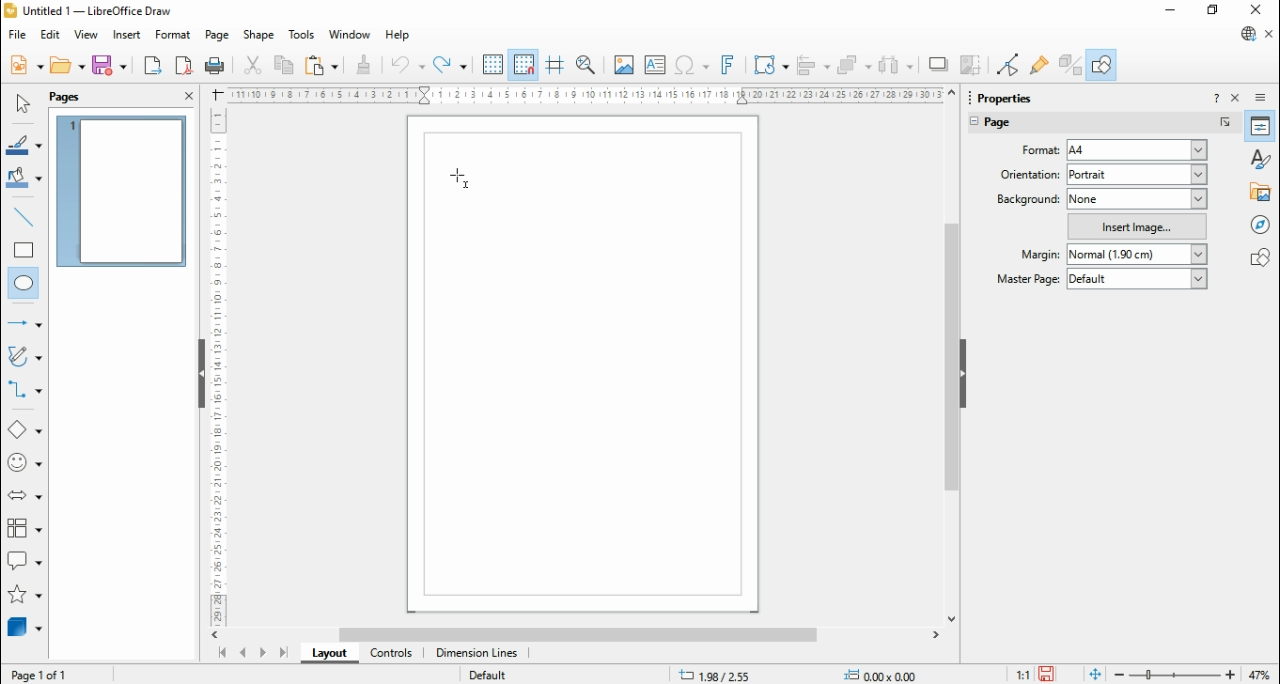  I want to click on export directly as PDF, so click(183, 65).